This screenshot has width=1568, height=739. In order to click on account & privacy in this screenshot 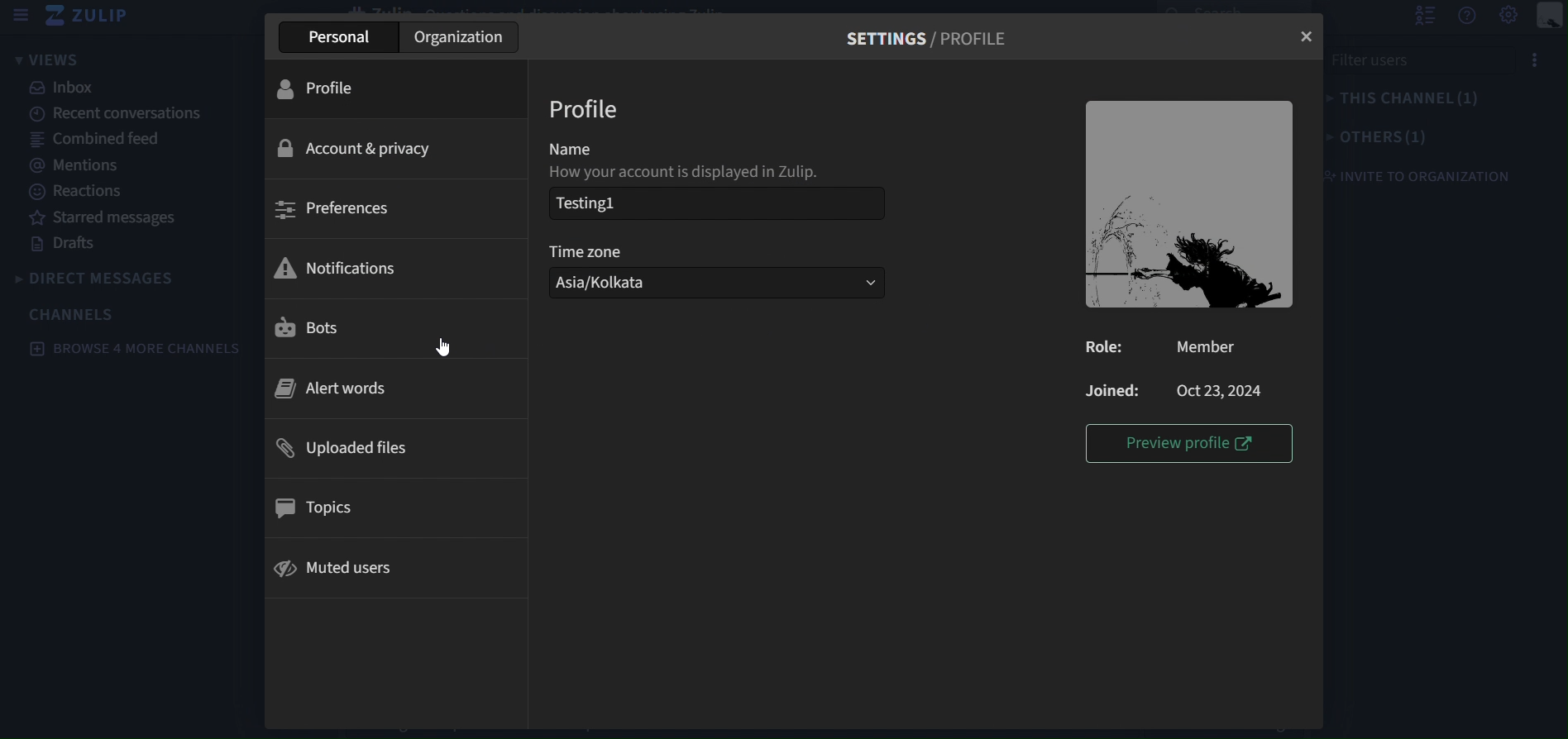, I will do `click(397, 150)`.